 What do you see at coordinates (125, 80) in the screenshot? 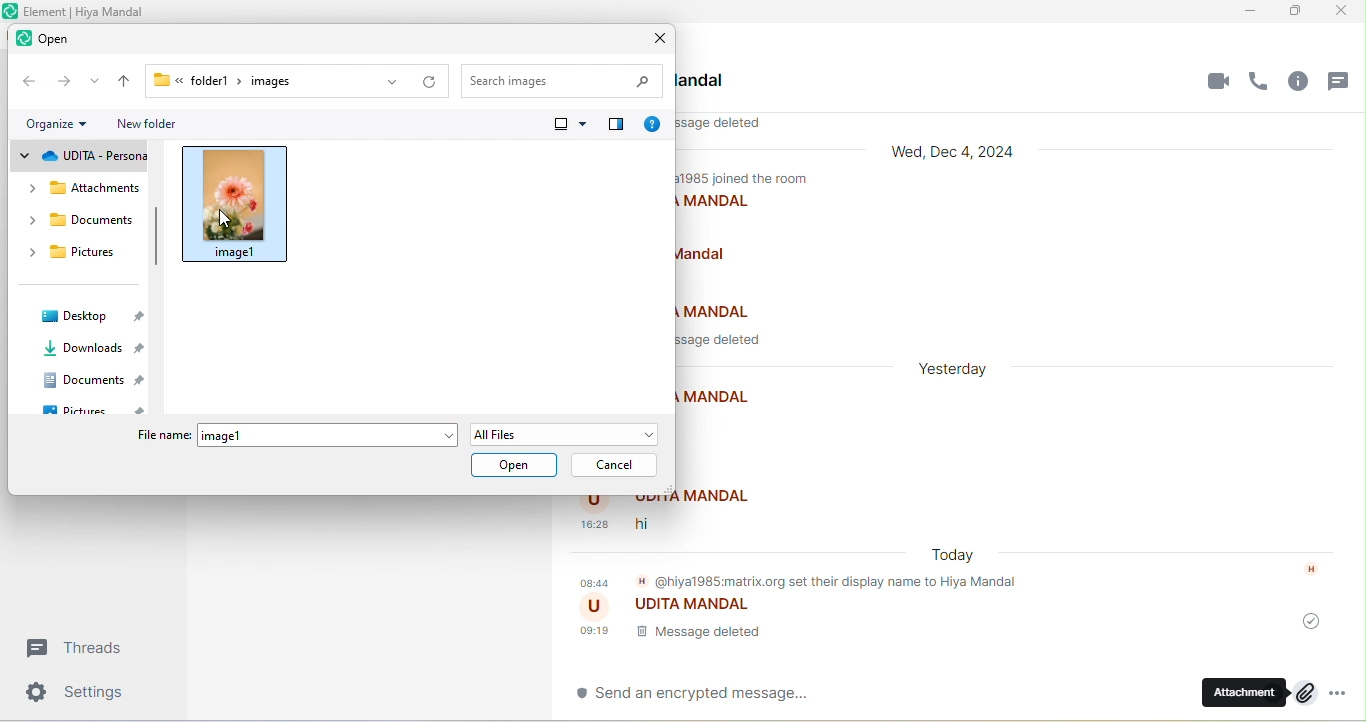
I see `up to desktop` at bounding box center [125, 80].